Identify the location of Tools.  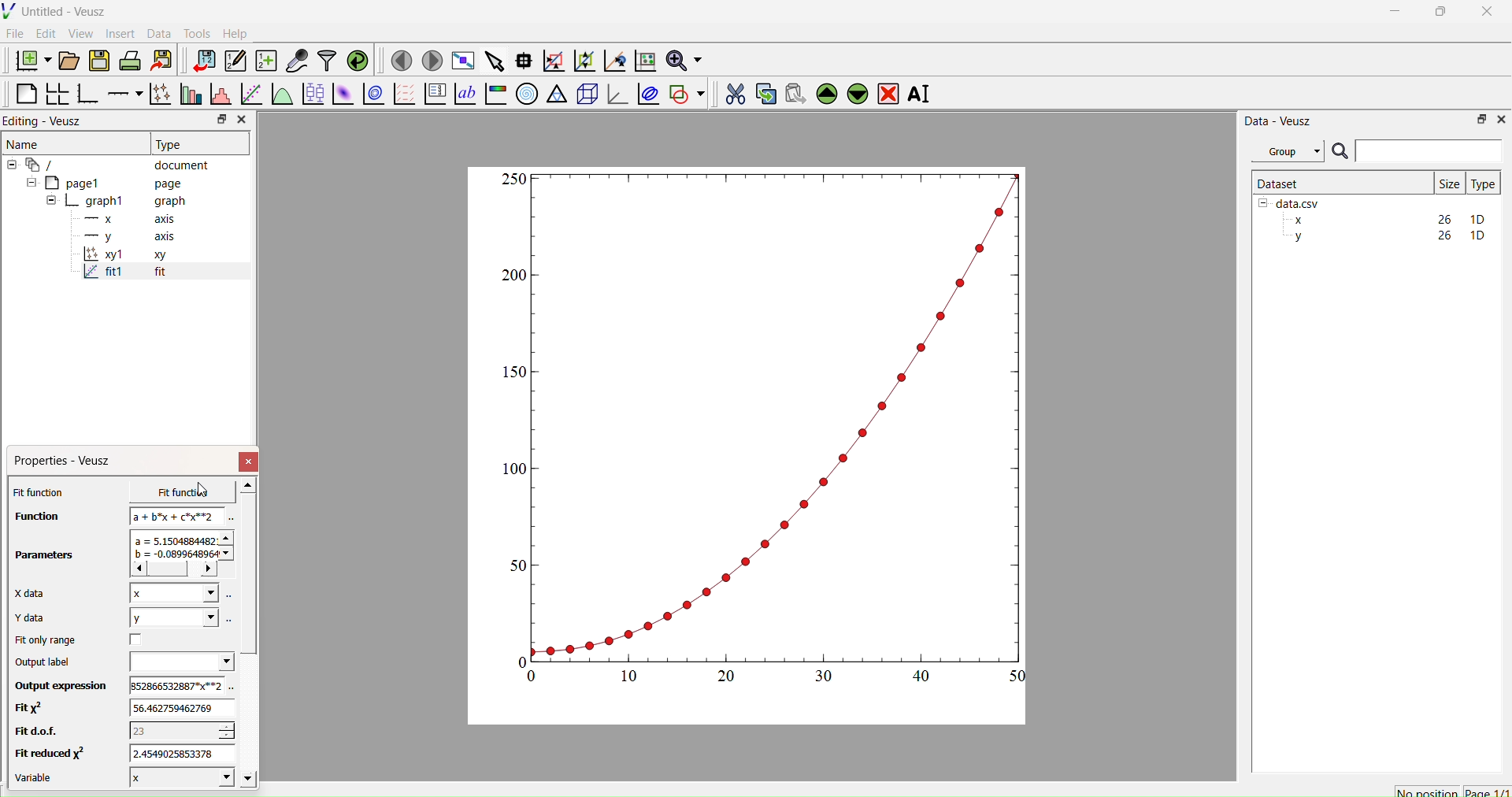
(194, 32).